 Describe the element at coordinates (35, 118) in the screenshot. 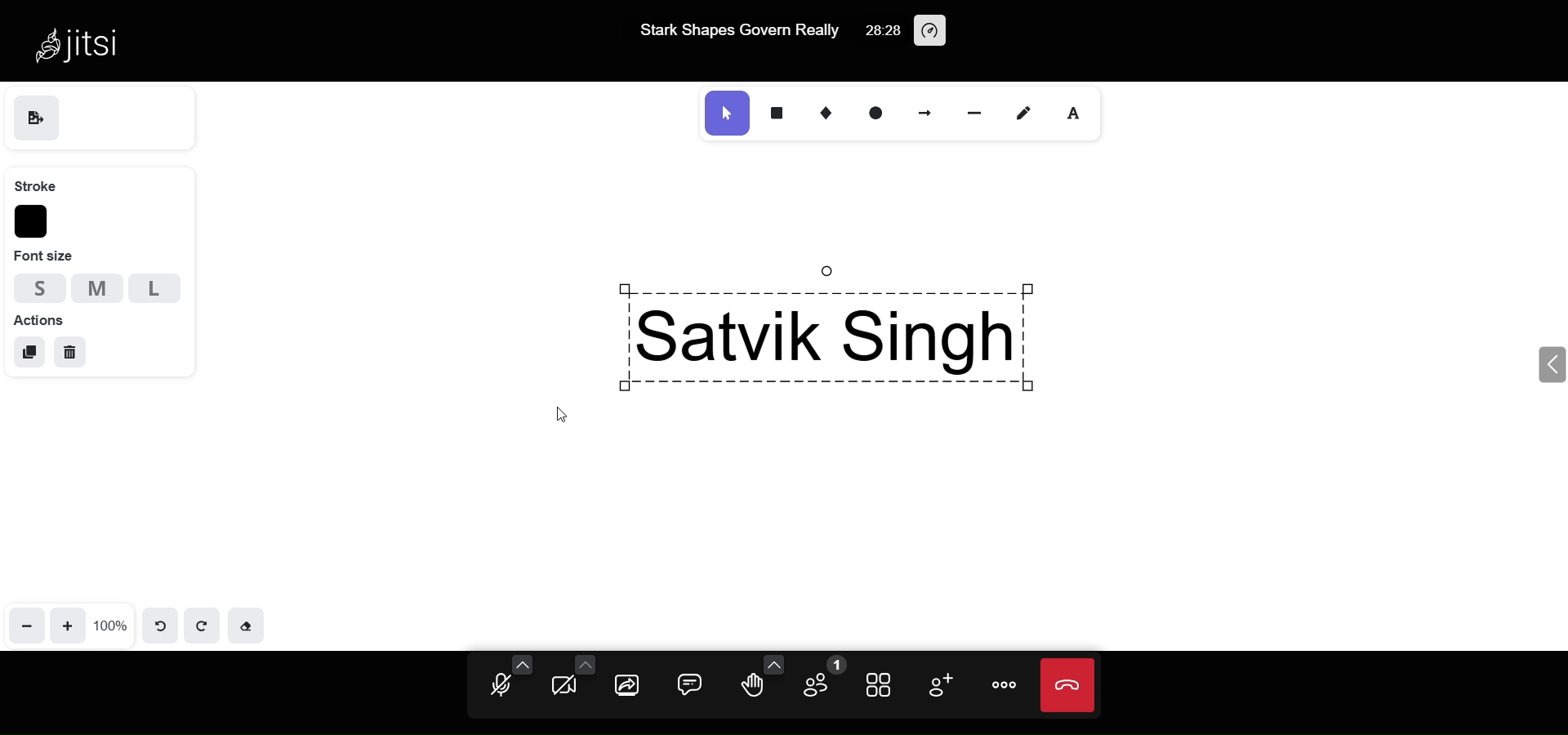

I see `save as image` at that location.